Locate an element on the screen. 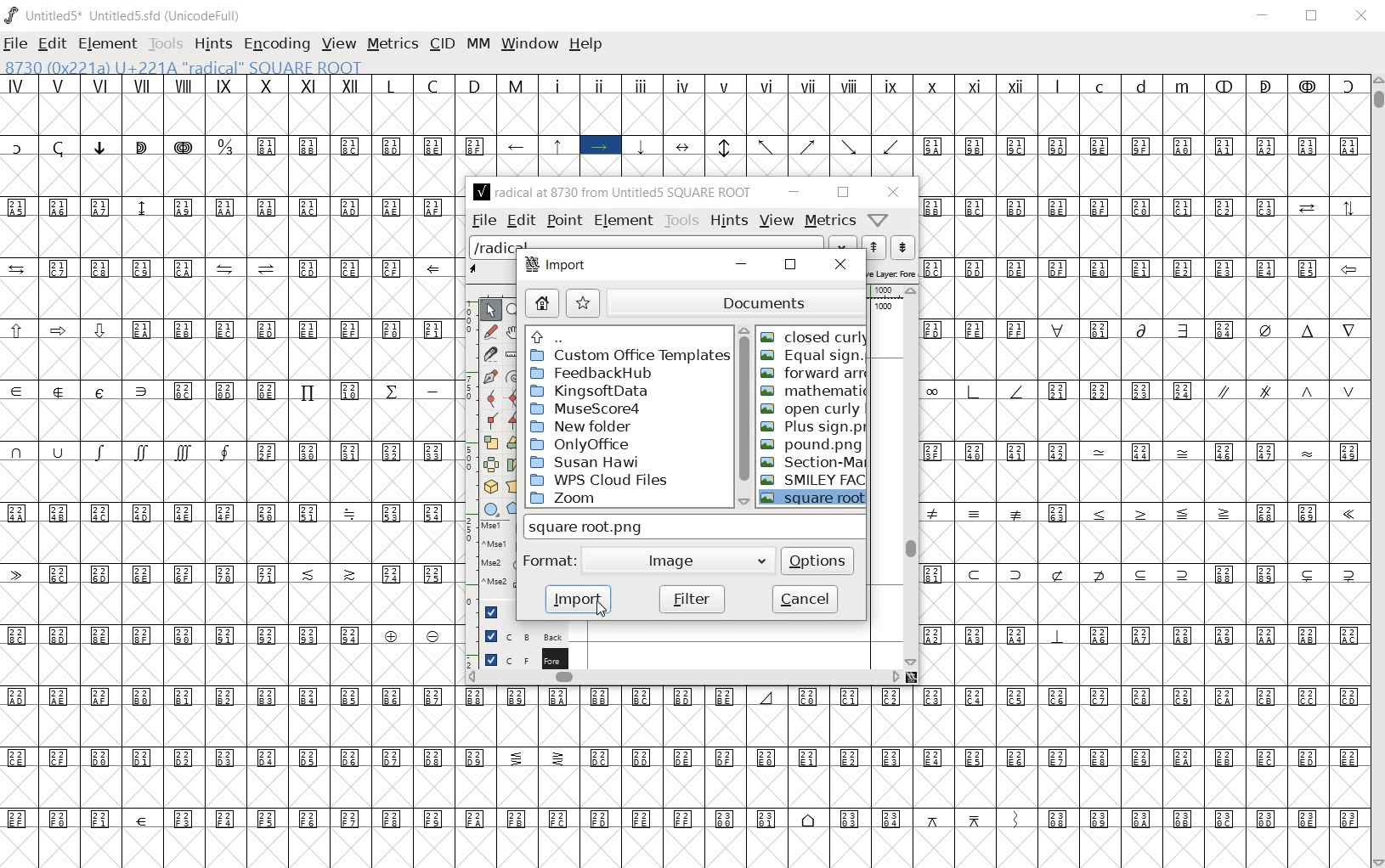 The height and width of the screenshot is (868, 1385). cut splines in two is located at coordinates (490, 354).